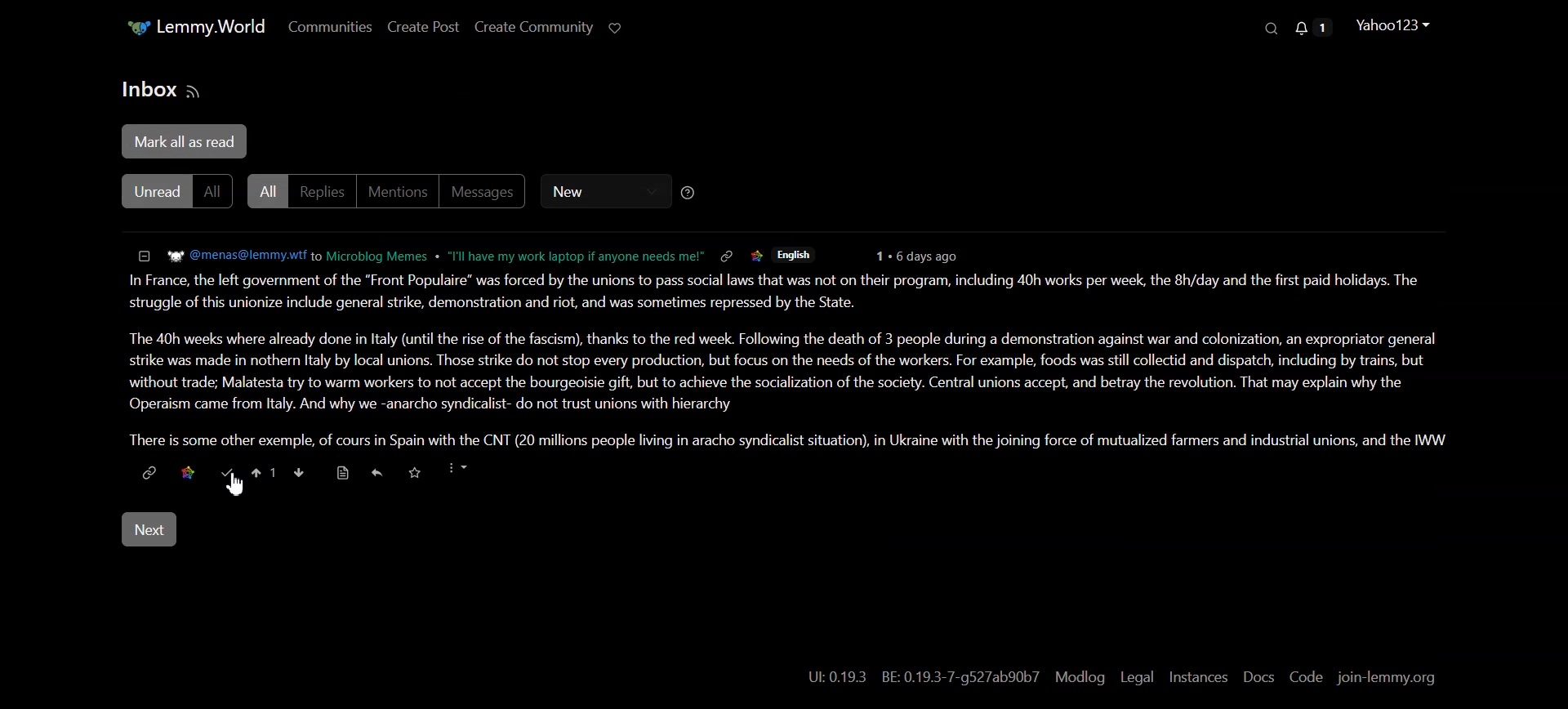  Describe the element at coordinates (1389, 26) in the screenshot. I see `Profile` at that location.